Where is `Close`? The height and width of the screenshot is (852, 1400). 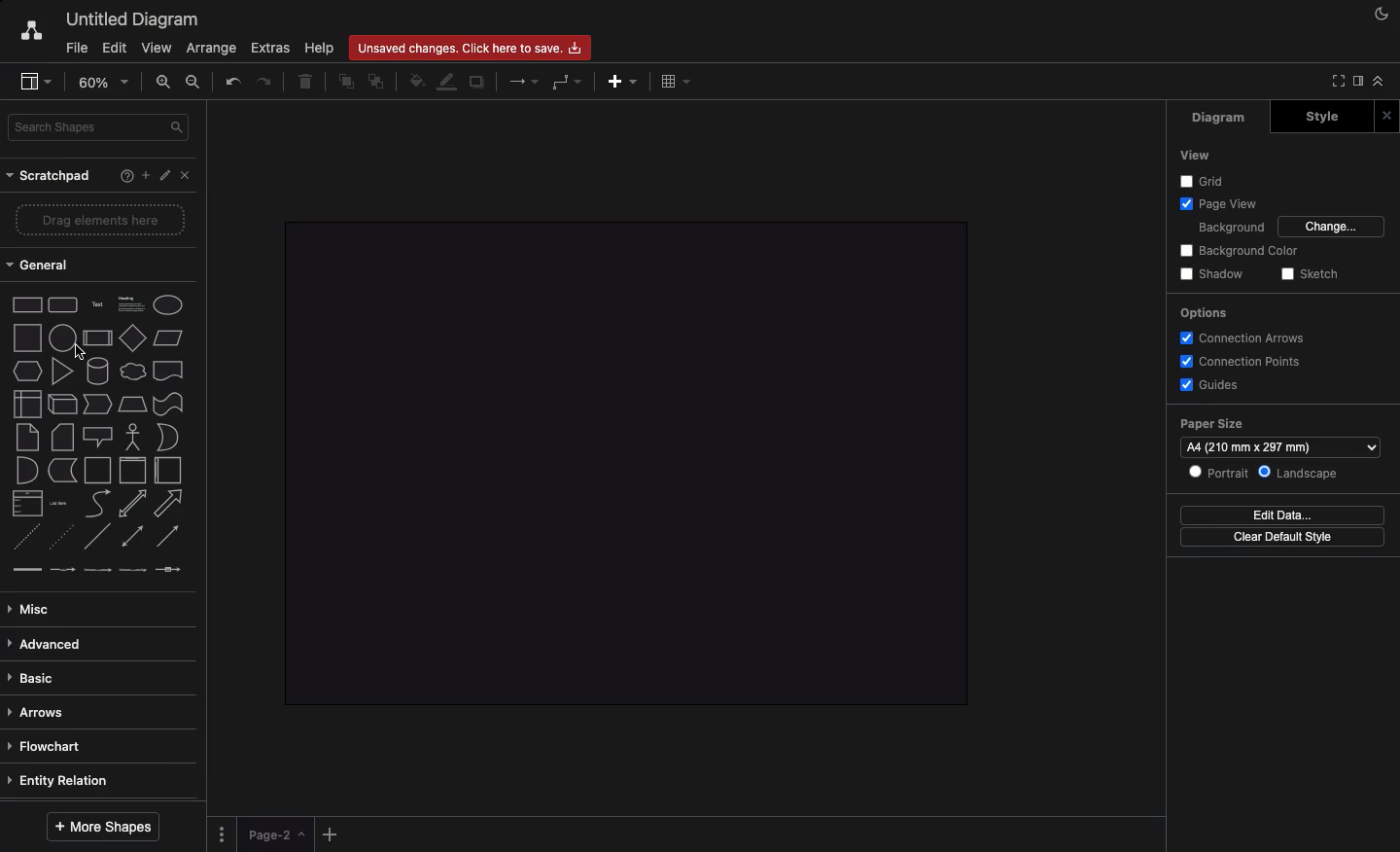 Close is located at coordinates (1387, 114).